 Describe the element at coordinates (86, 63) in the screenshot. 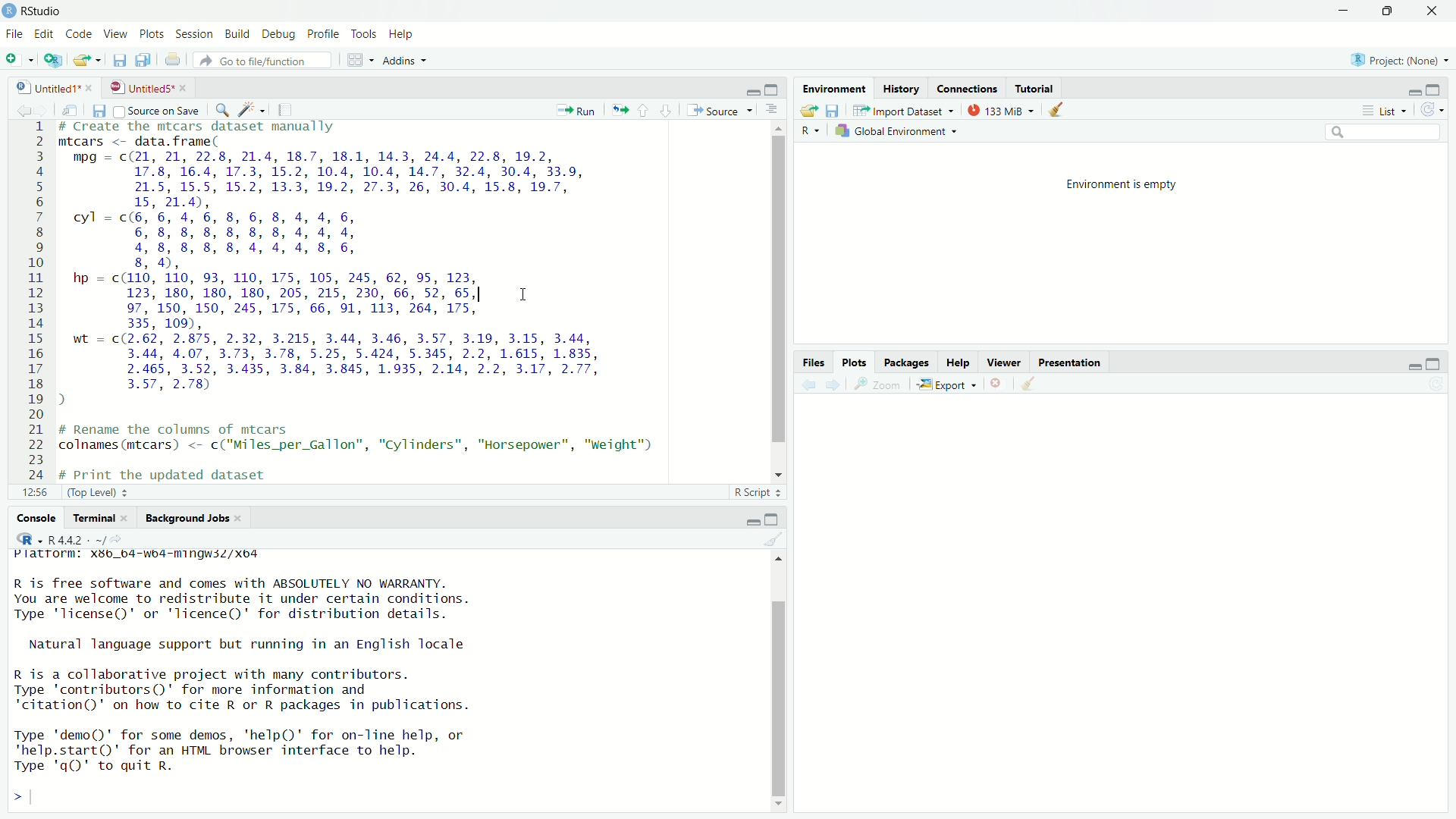

I see `export` at that location.